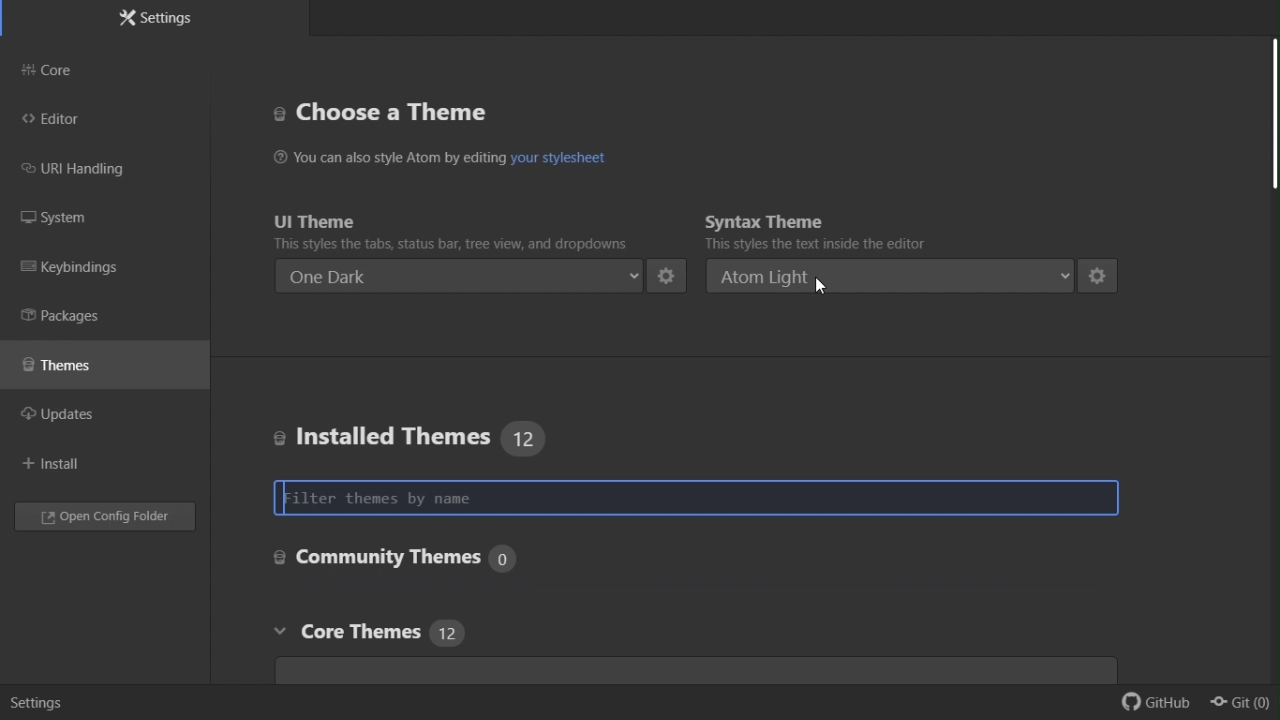 This screenshot has height=720, width=1280. What do you see at coordinates (1101, 276) in the screenshot?
I see `settings` at bounding box center [1101, 276].